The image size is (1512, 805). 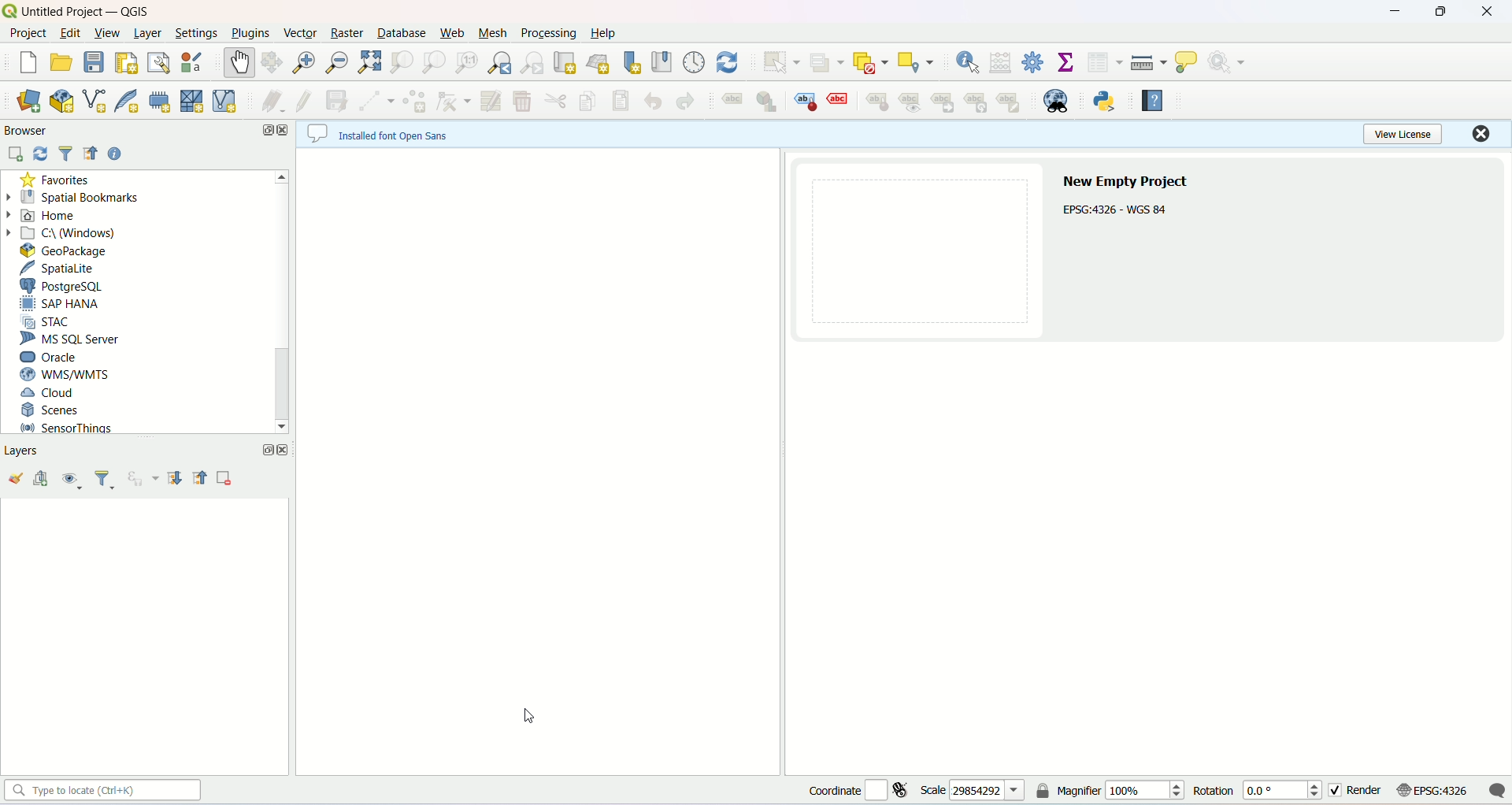 What do you see at coordinates (72, 481) in the screenshot?
I see `manage map theme` at bounding box center [72, 481].